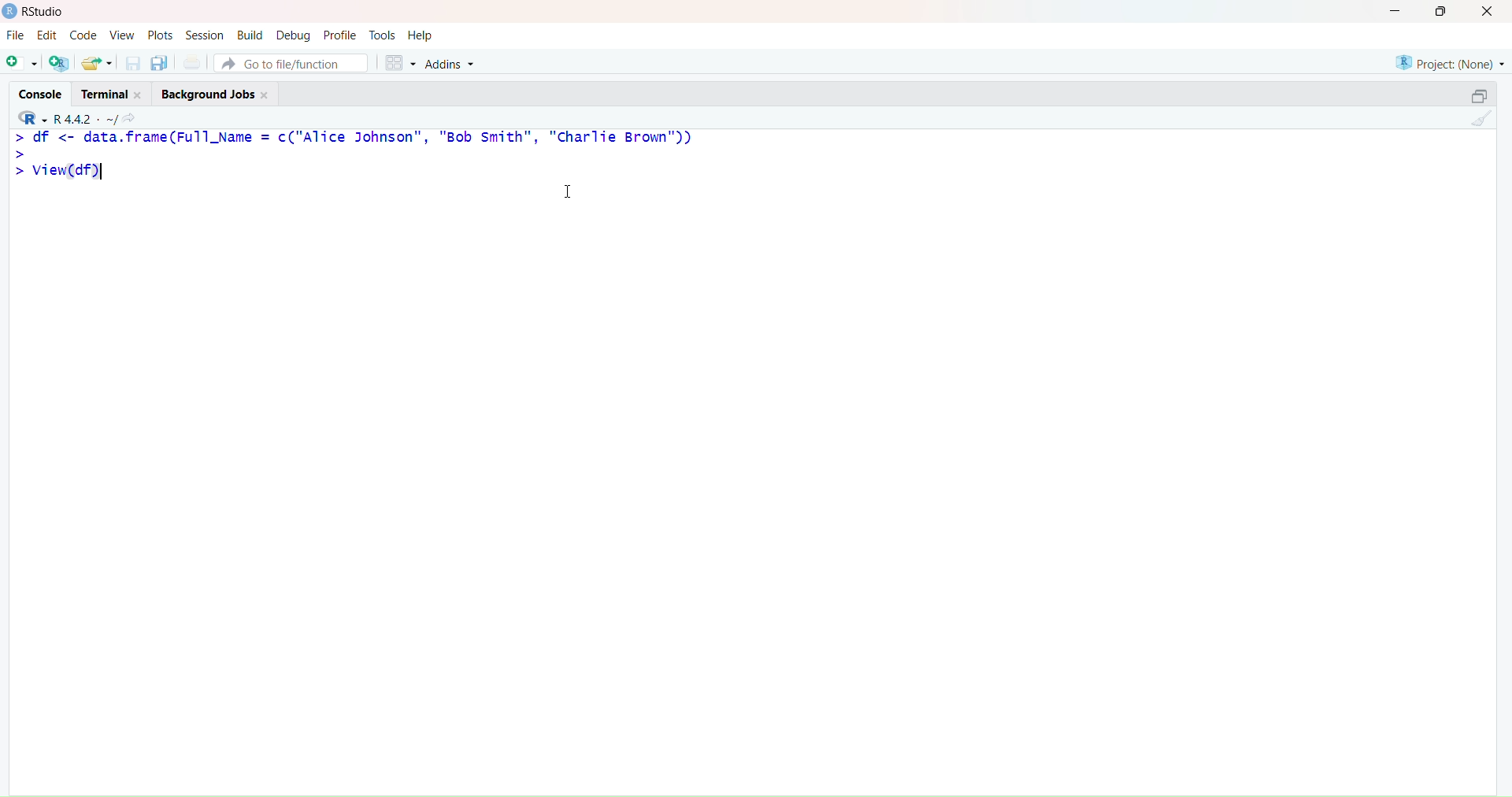  Describe the element at coordinates (1479, 120) in the screenshot. I see `Clear console (Ctrl + L)` at that location.